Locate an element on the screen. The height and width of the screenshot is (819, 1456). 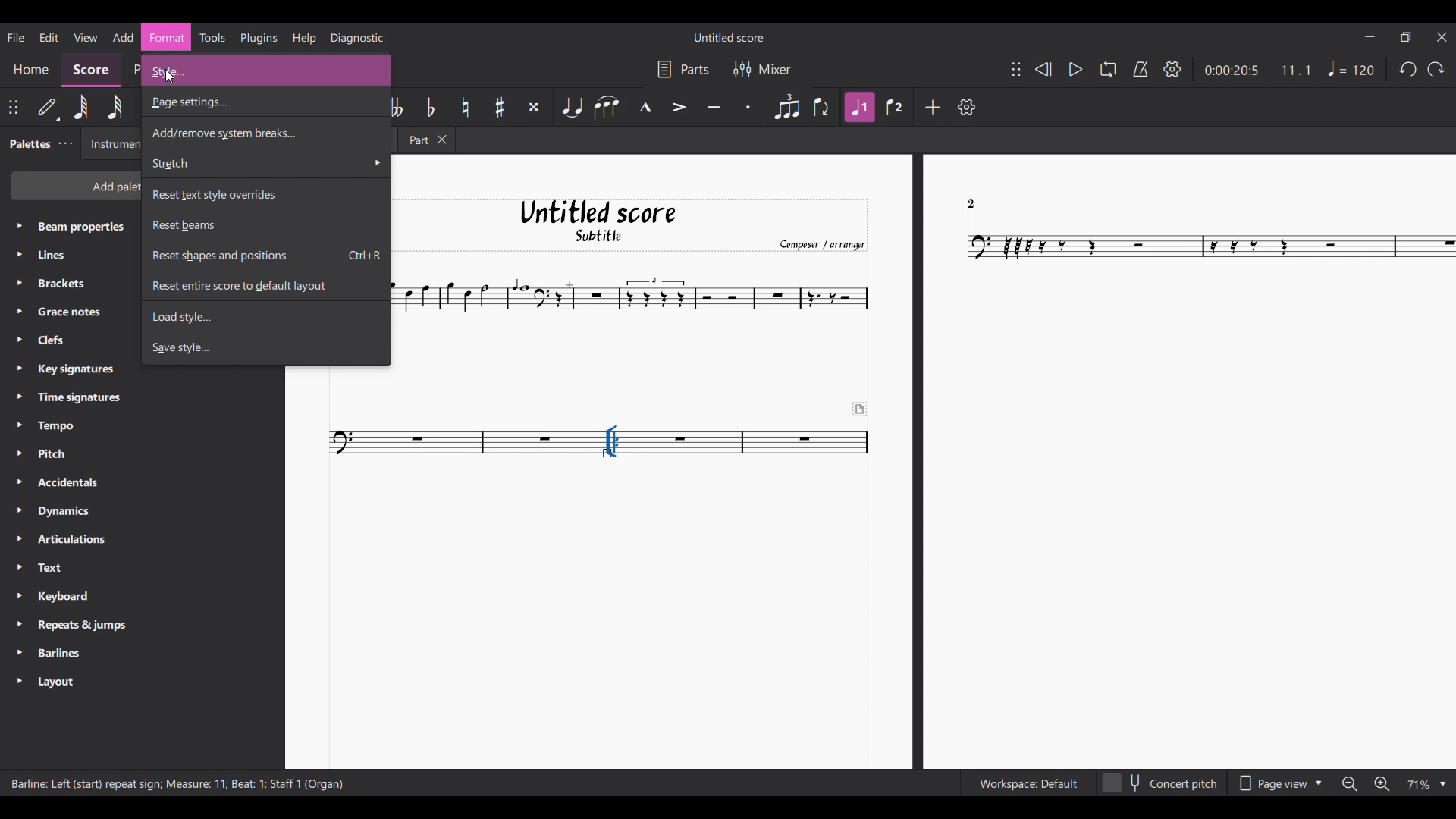
Instruments tab is located at coordinates (112, 143).